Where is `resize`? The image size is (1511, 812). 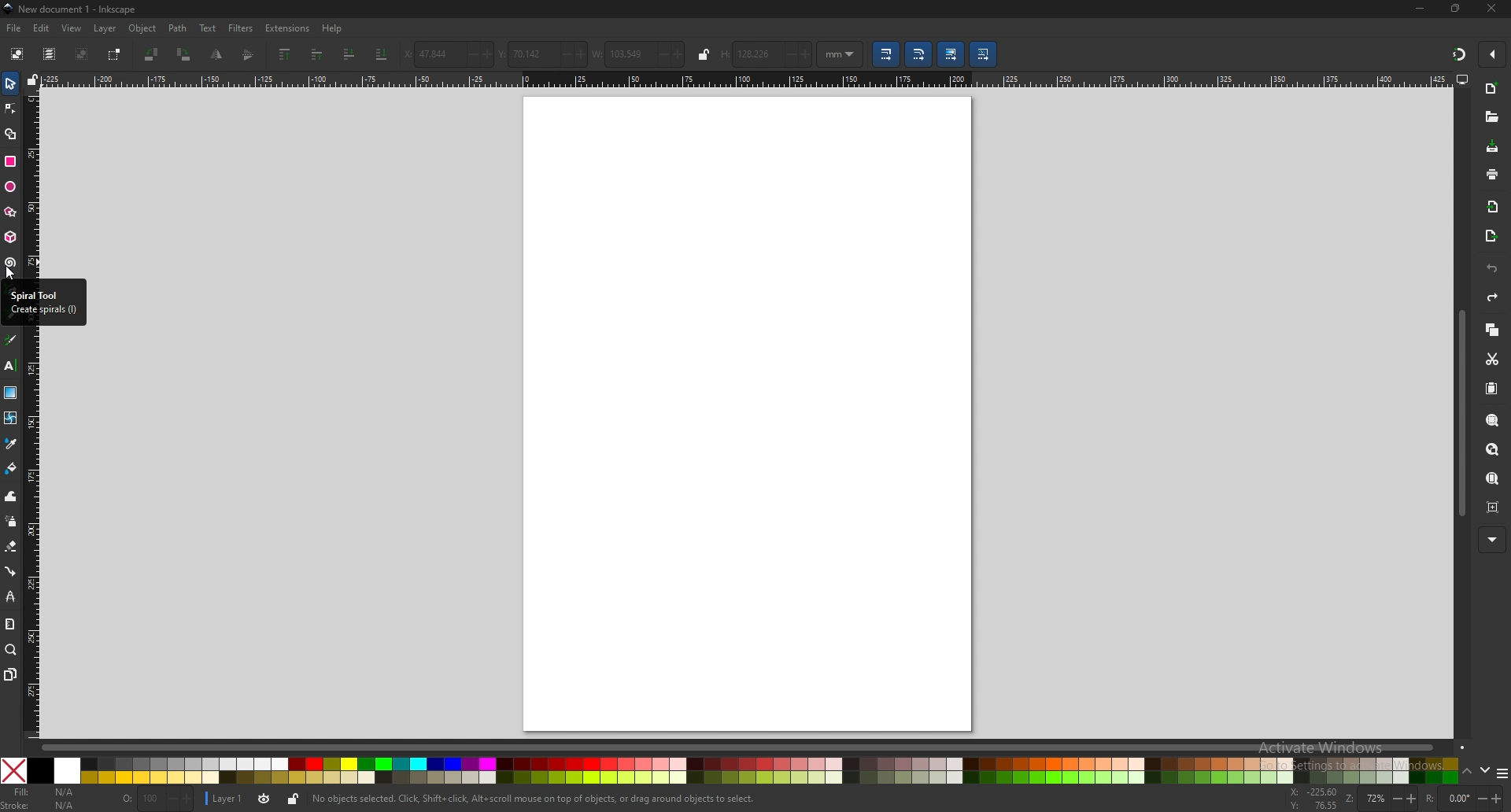
resize is located at coordinates (1456, 9).